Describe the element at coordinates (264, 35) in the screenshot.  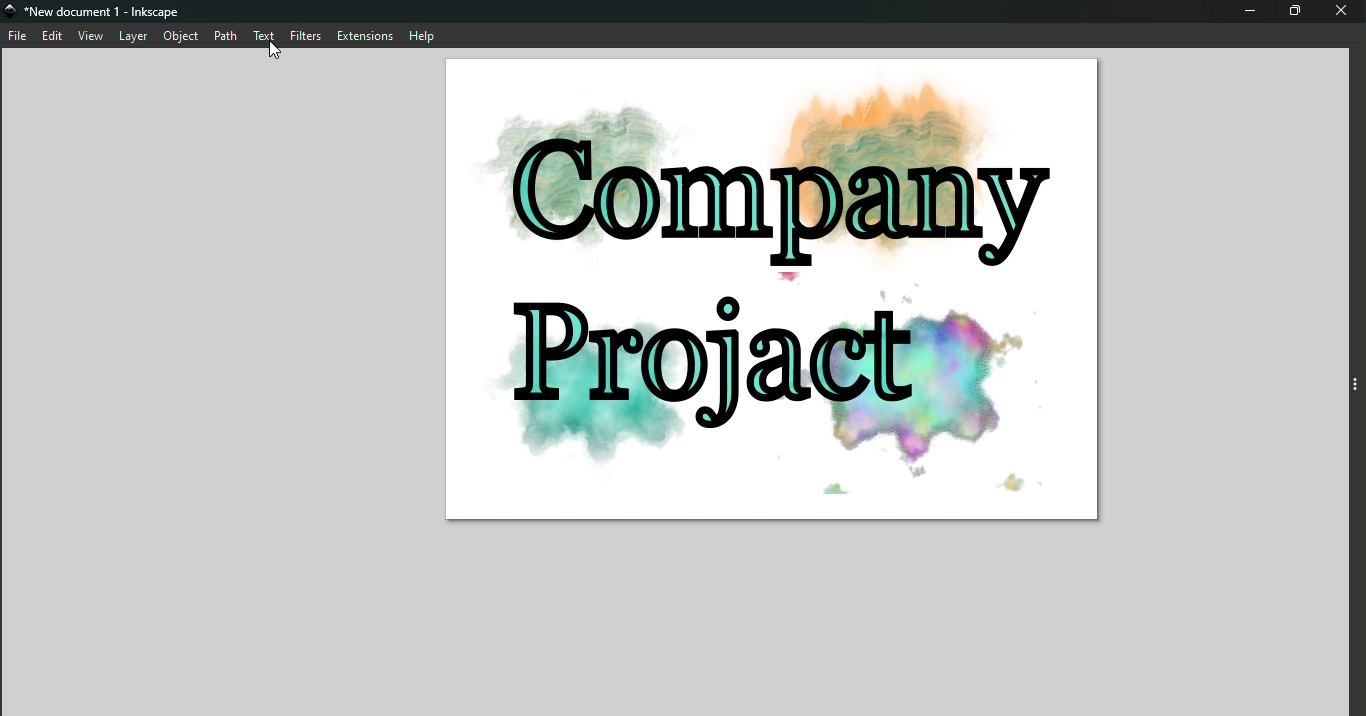
I see `text` at that location.